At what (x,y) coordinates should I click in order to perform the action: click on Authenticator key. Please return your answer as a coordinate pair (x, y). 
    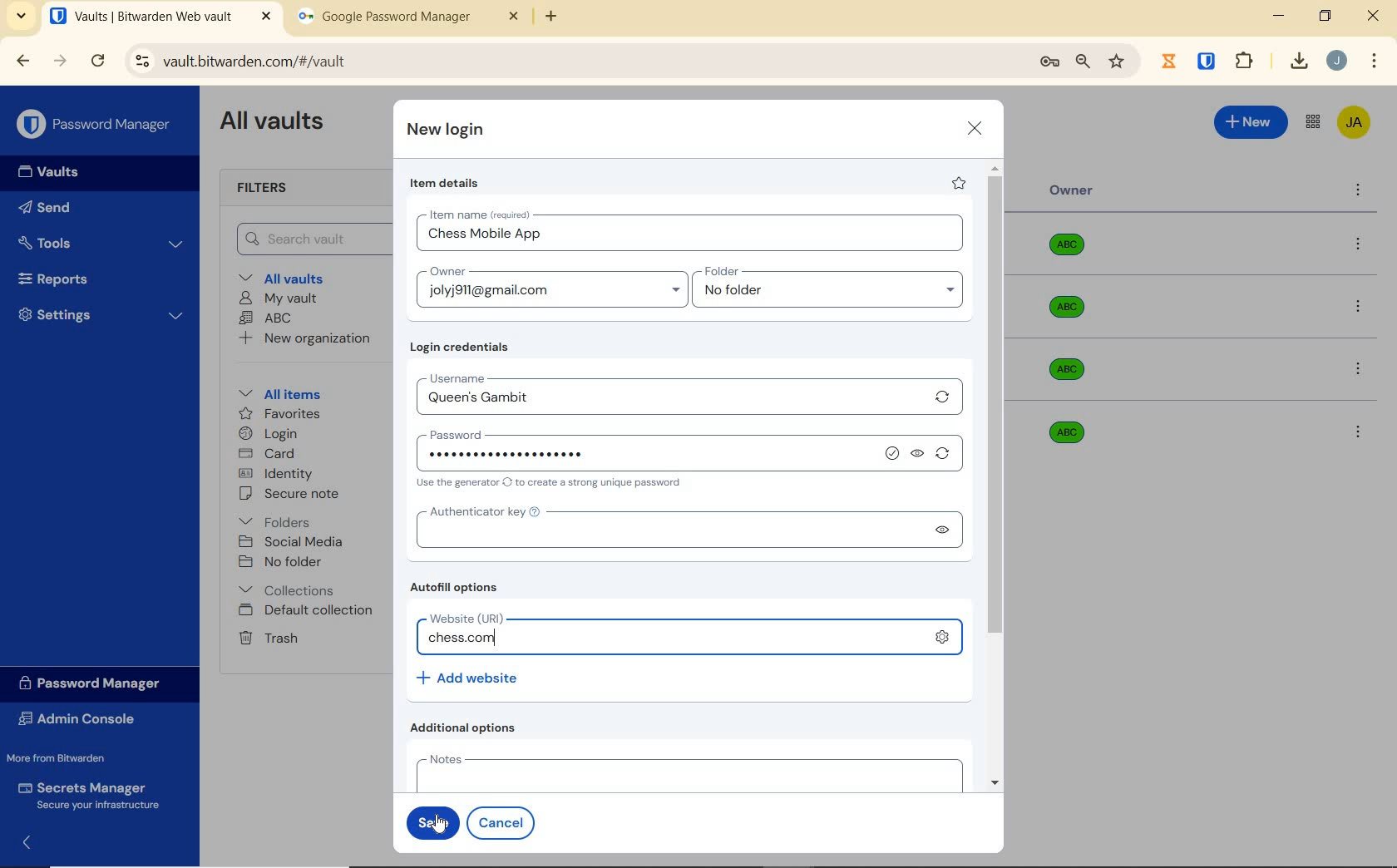
    Looking at the image, I should click on (667, 530).